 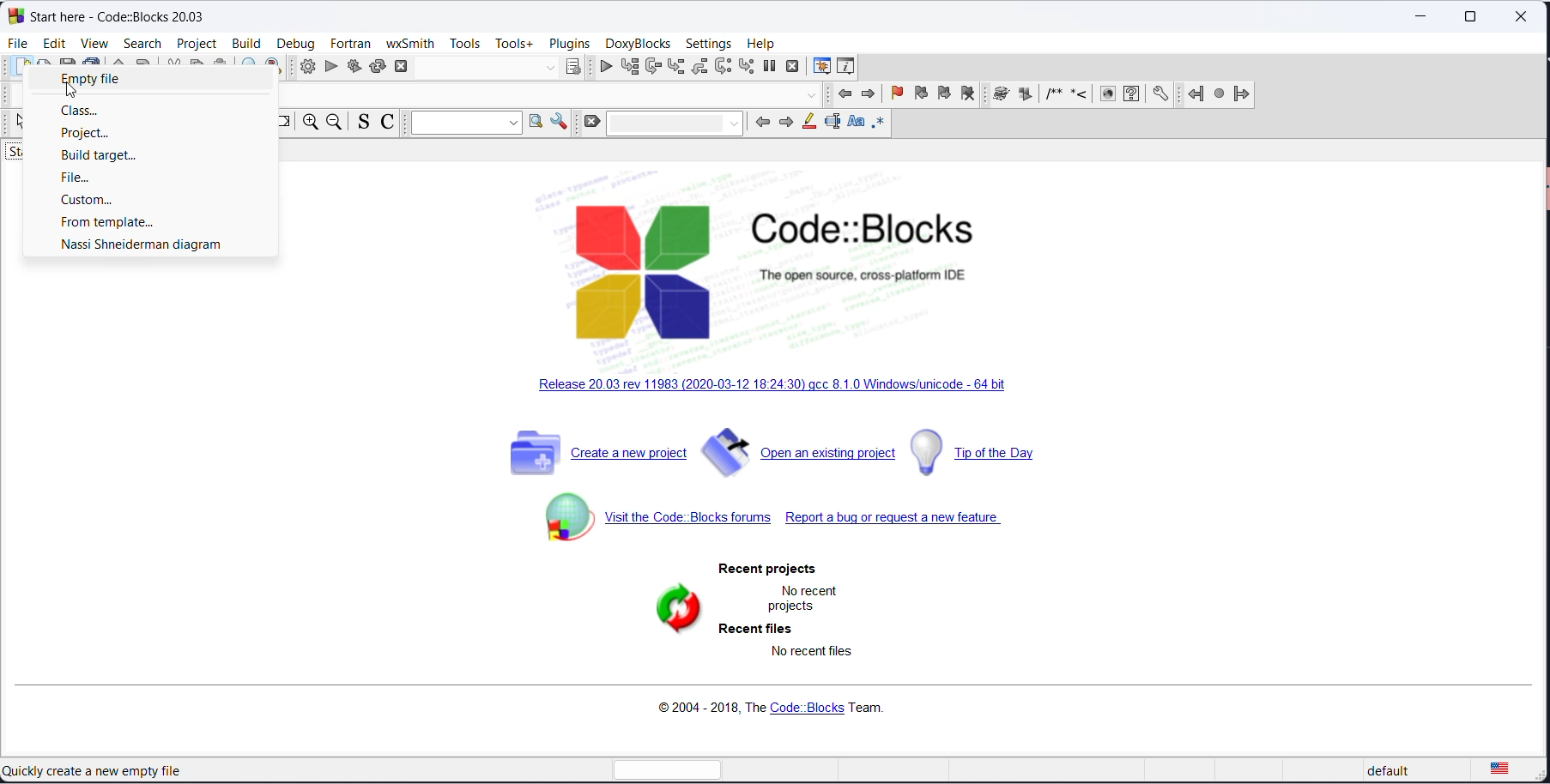 What do you see at coordinates (576, 67) in the screenshot?
I see `target dialog` at bounding box center [576, 67].